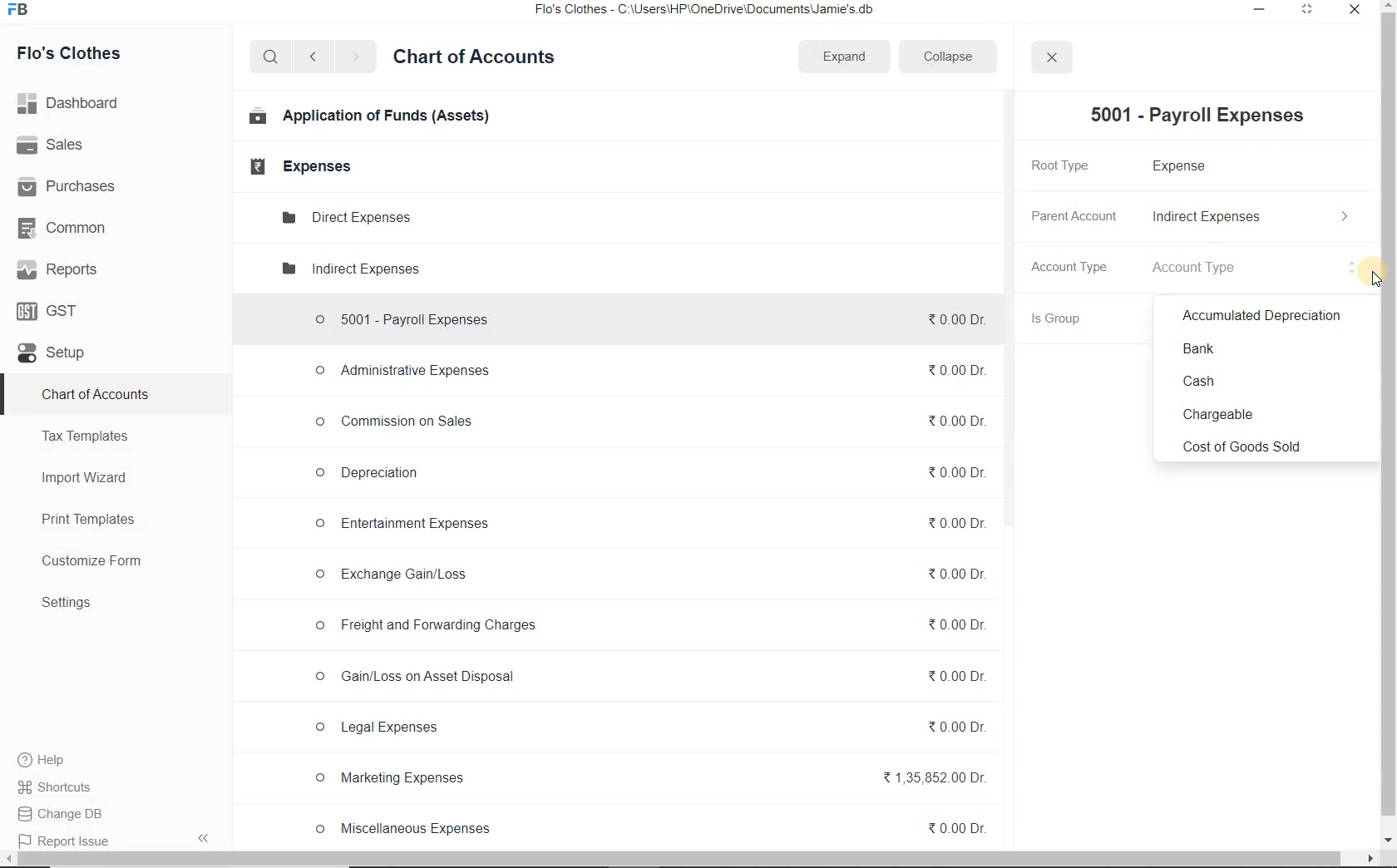  Describe the element at coordinates (49, 310) in the screenshot. I see `GST` at that location.